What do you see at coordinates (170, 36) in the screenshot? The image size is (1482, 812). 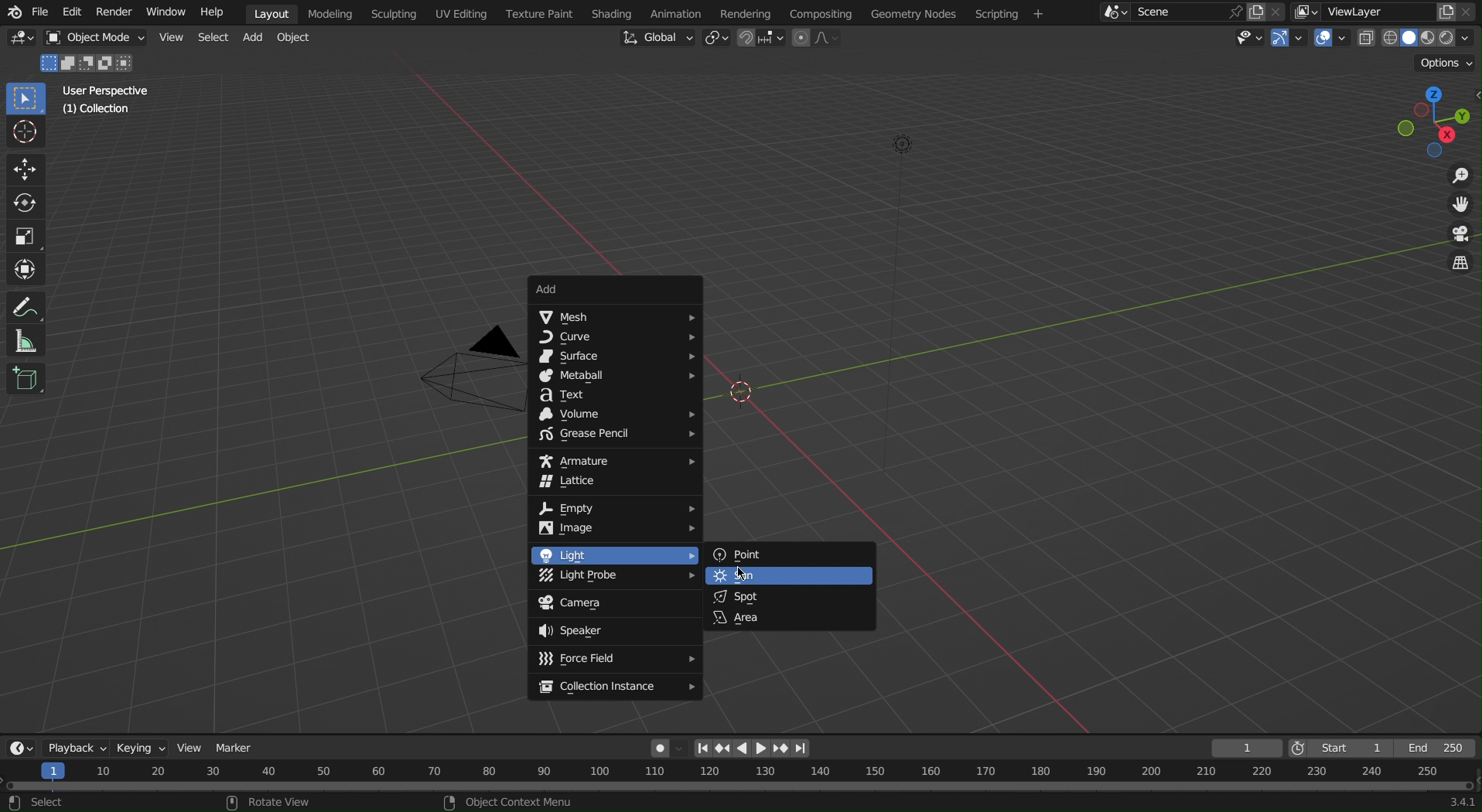 I see `View` at bounding box center [170, 36].